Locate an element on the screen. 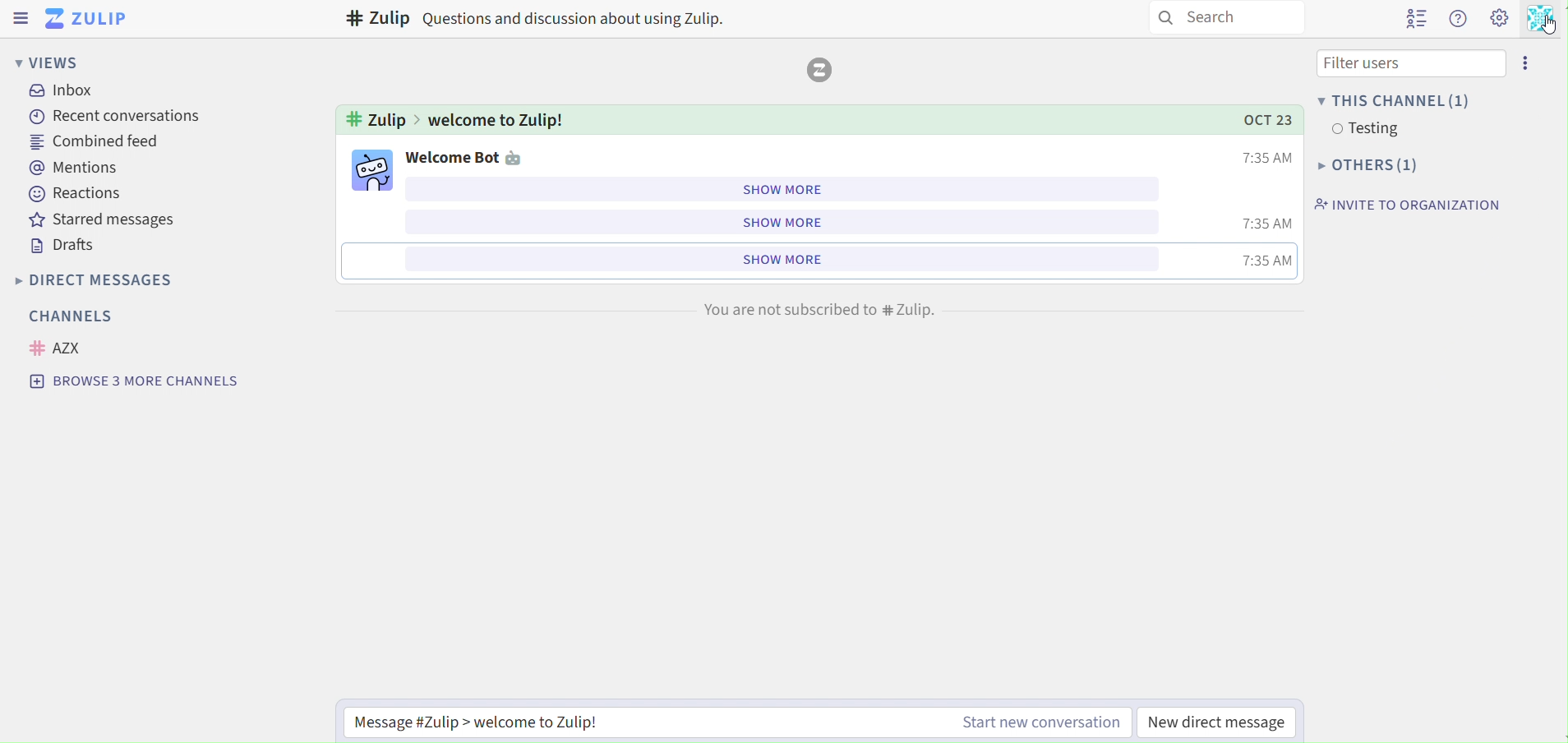 The height and width of the screenshot is (743, 1568). show more is located at coordinates (779, 258).